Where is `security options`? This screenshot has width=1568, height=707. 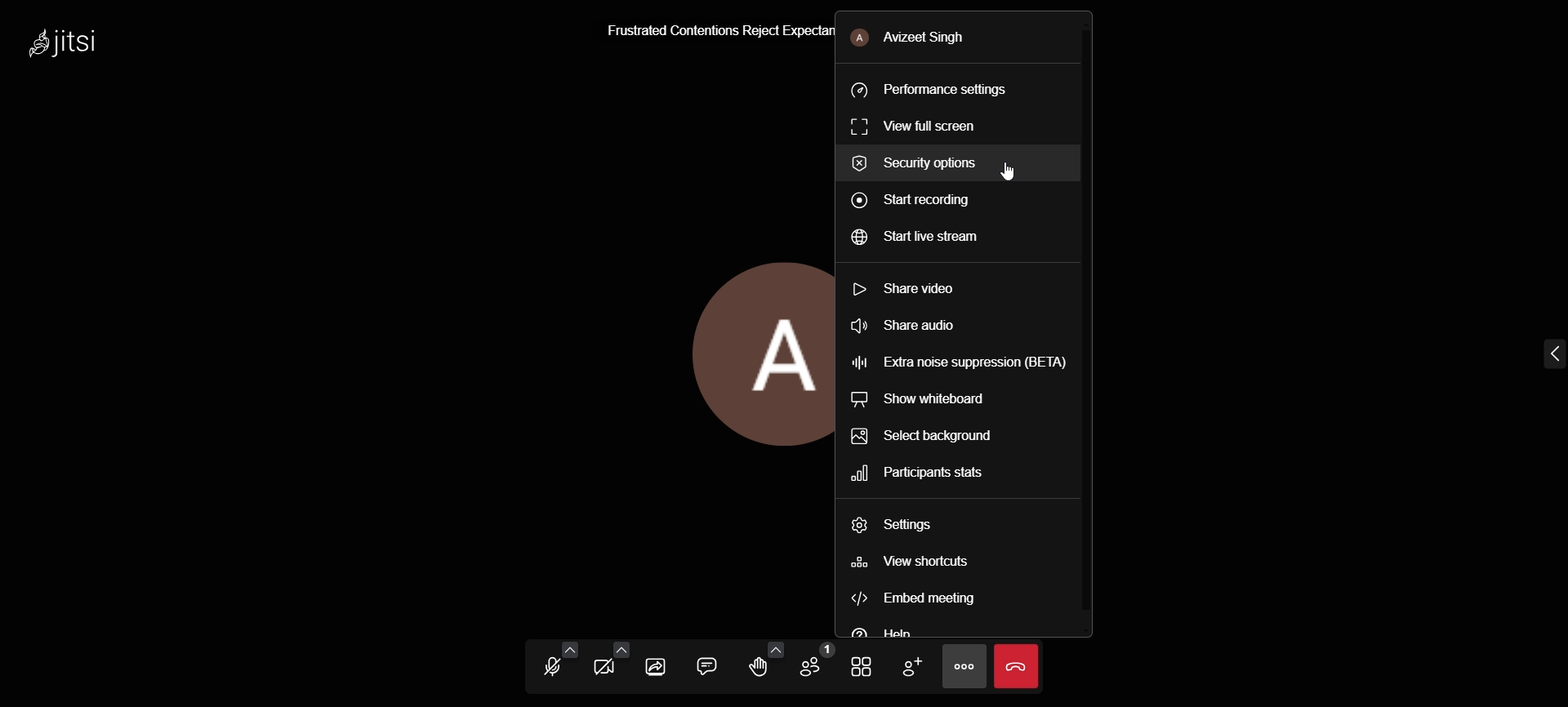
security options is located at coordinates (922, 165).